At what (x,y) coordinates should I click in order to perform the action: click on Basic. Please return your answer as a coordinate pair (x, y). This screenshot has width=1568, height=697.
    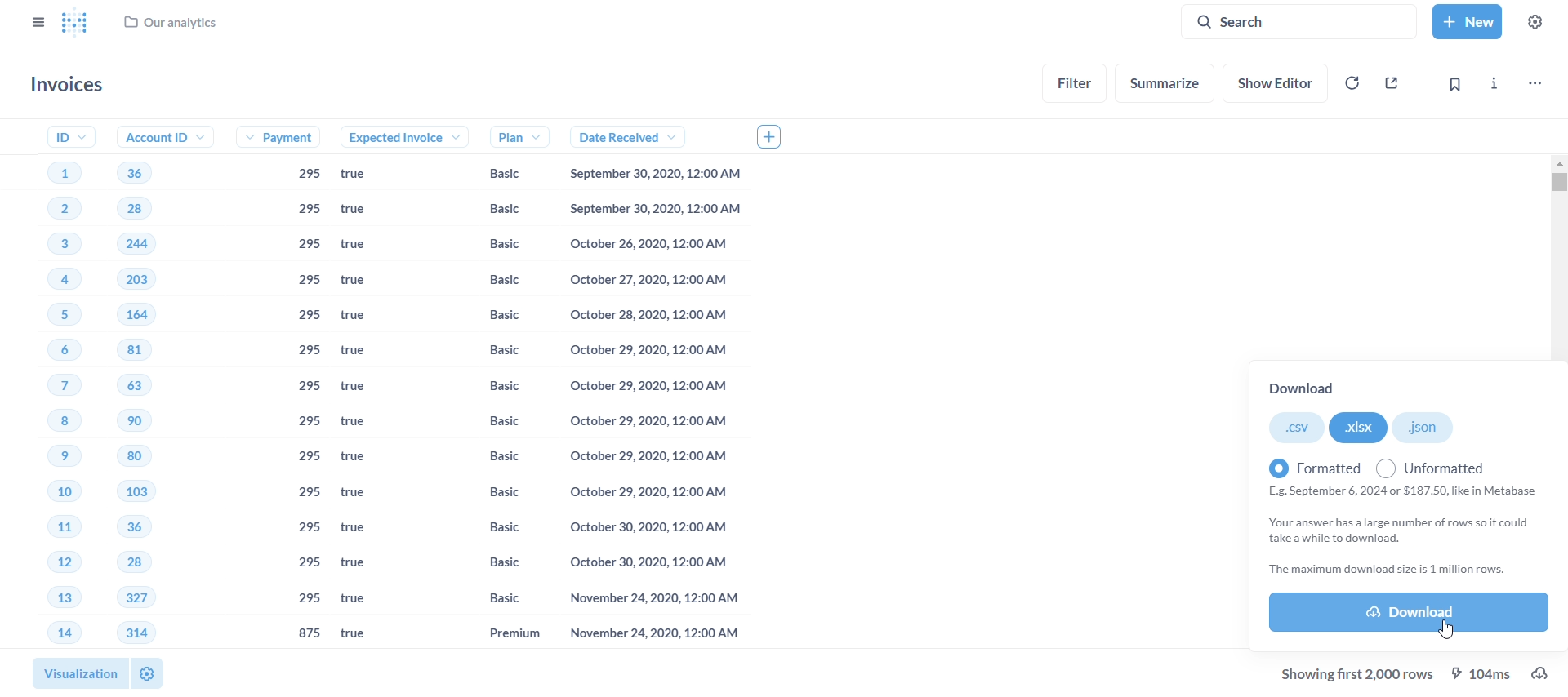
    Looking at the image, I should click on (497, 420).